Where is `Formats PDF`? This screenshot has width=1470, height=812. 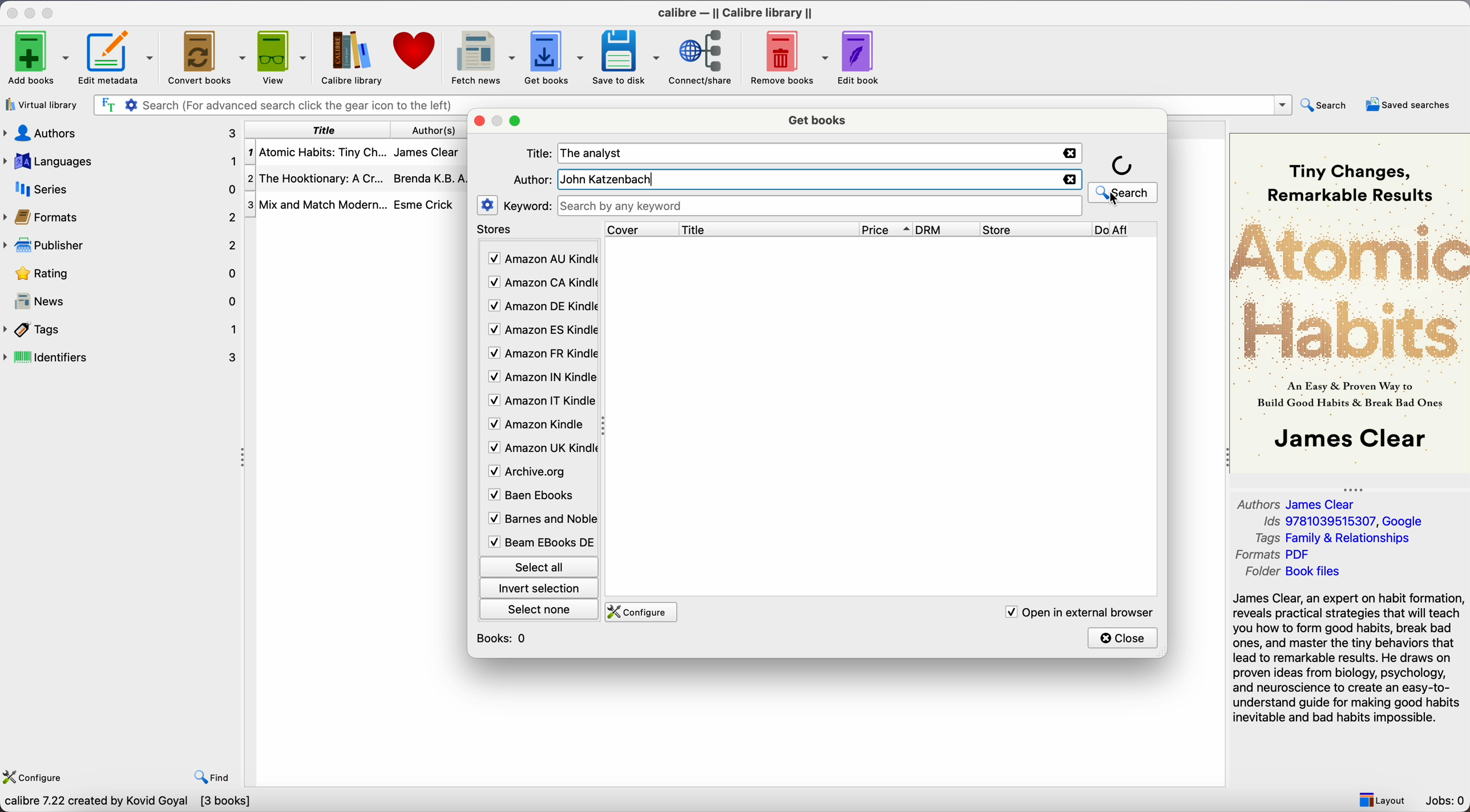 Formats PDF is located at coordinates (1283, 555).